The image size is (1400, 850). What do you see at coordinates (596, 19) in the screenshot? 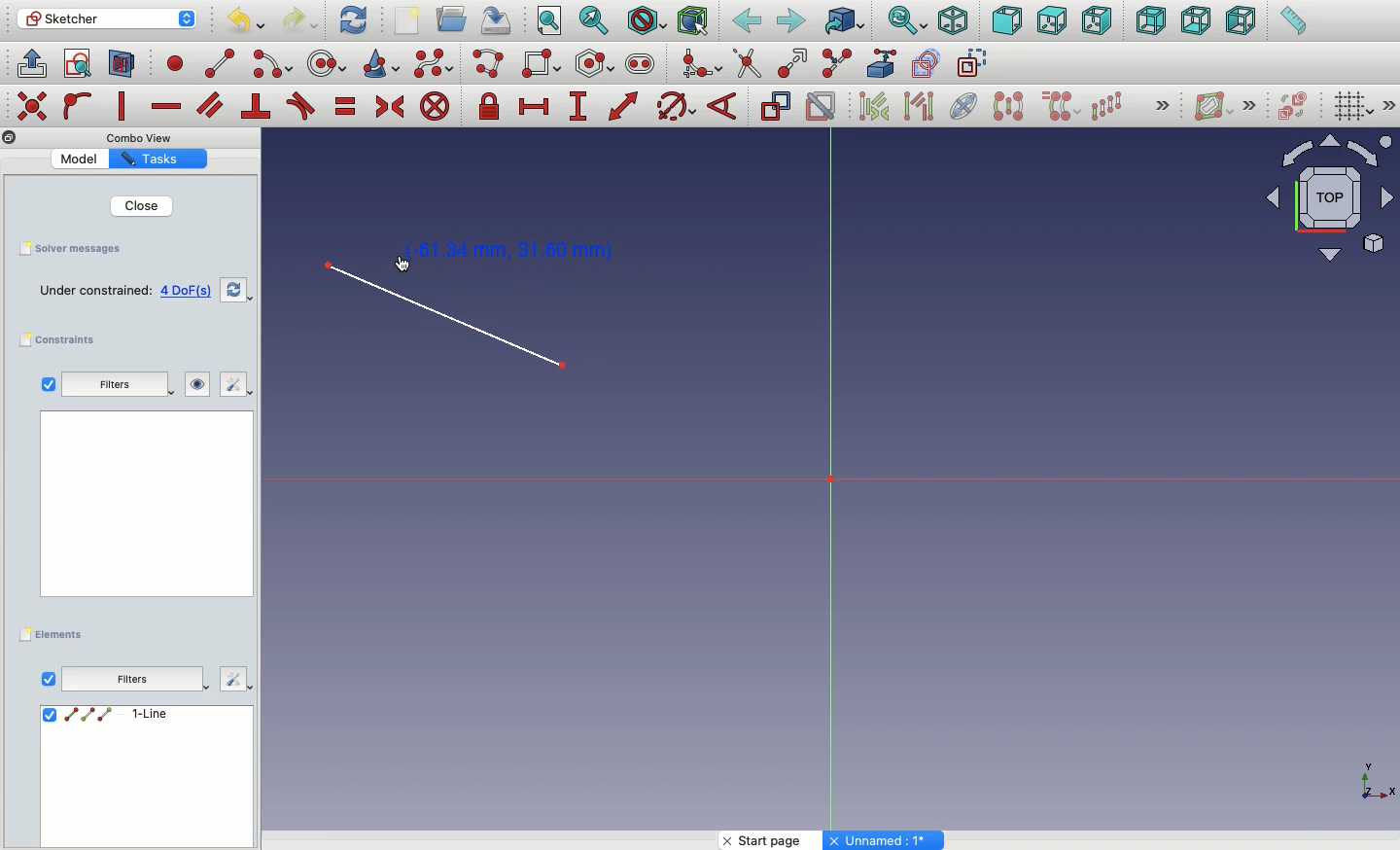
I see `Fit selection` at bounding box center [596, 19].